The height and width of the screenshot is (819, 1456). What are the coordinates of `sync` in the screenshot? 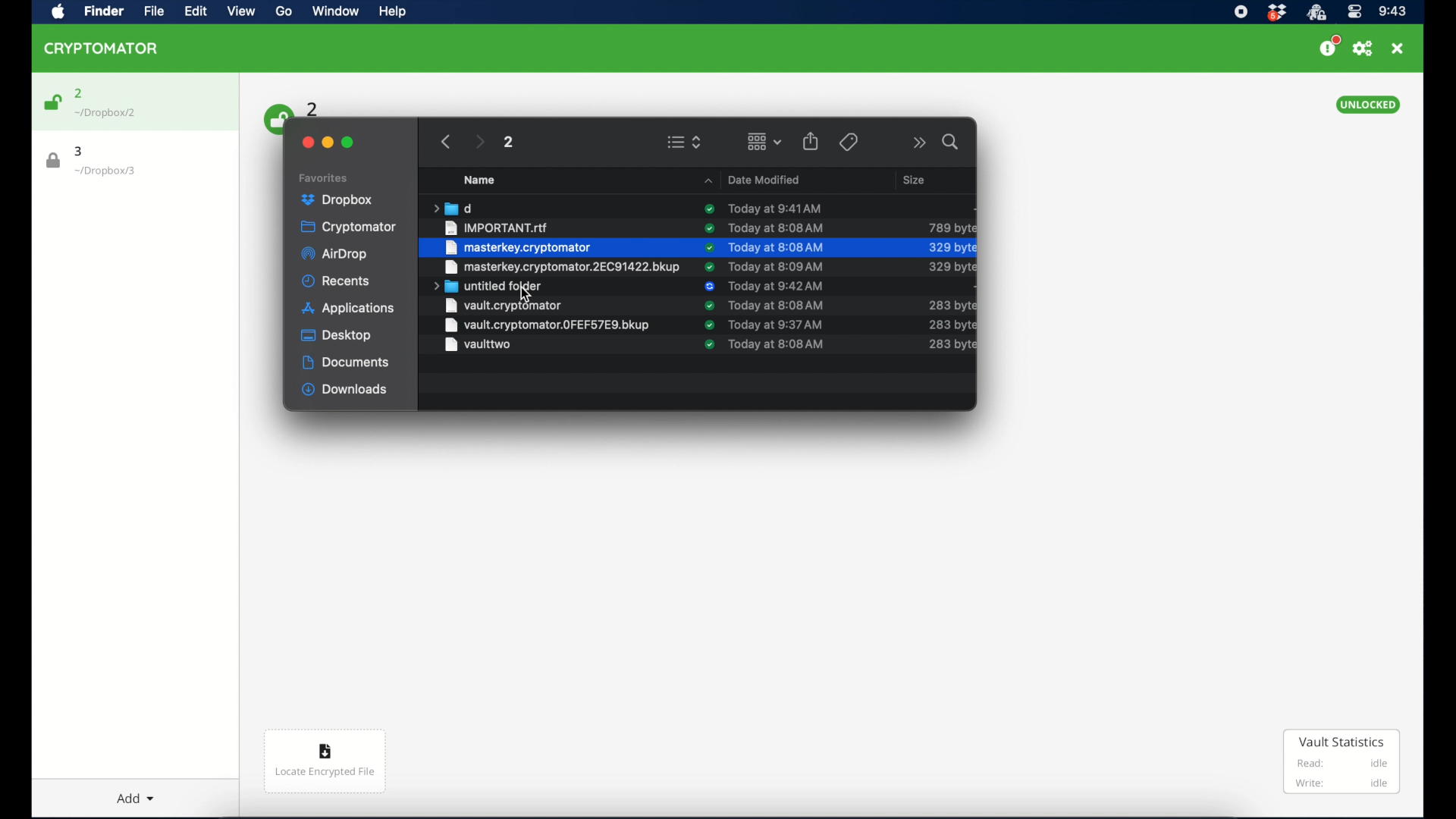 It's located at (708, 228).